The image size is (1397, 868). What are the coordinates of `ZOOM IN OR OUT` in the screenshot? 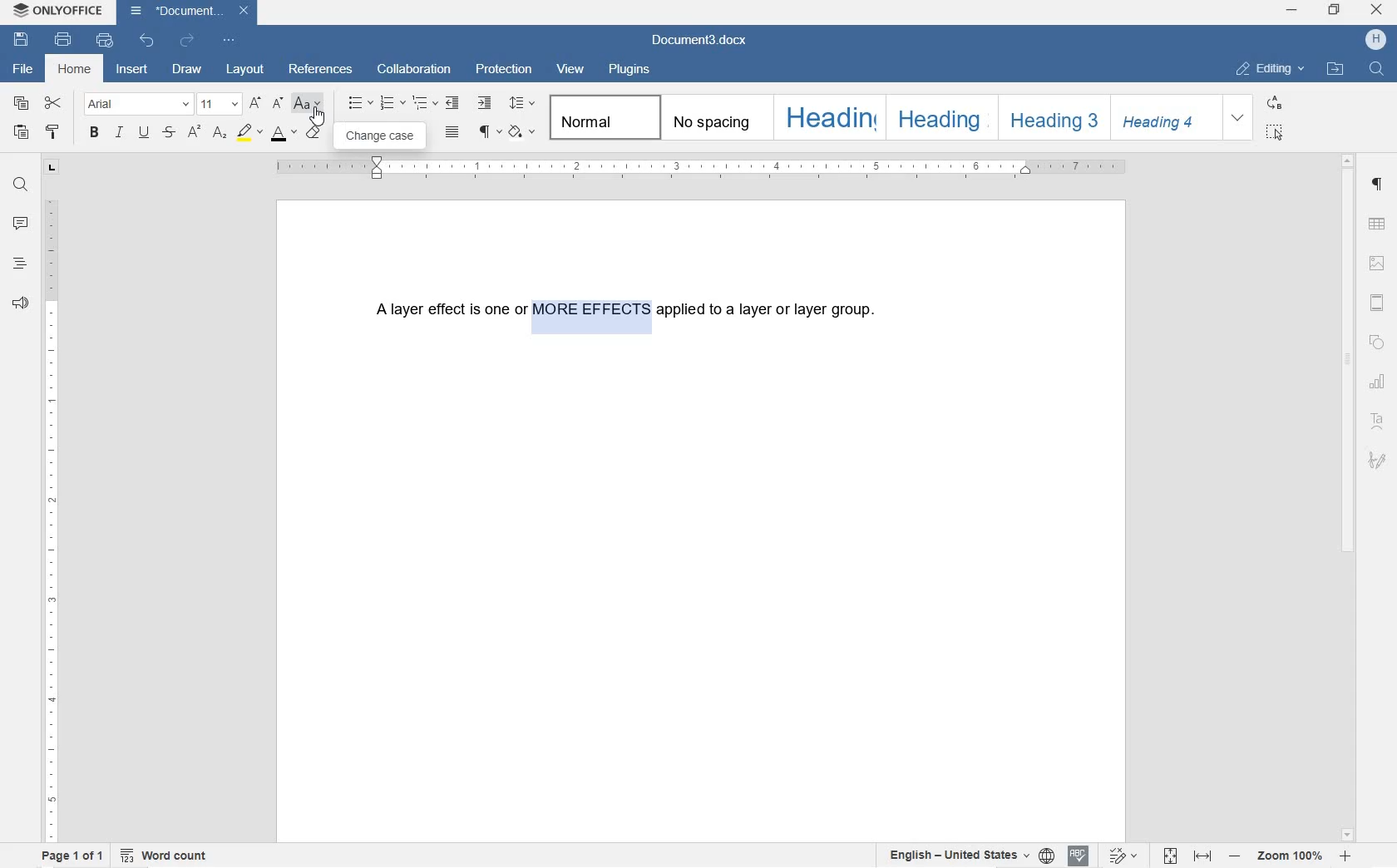 It's located at (1291, 858).